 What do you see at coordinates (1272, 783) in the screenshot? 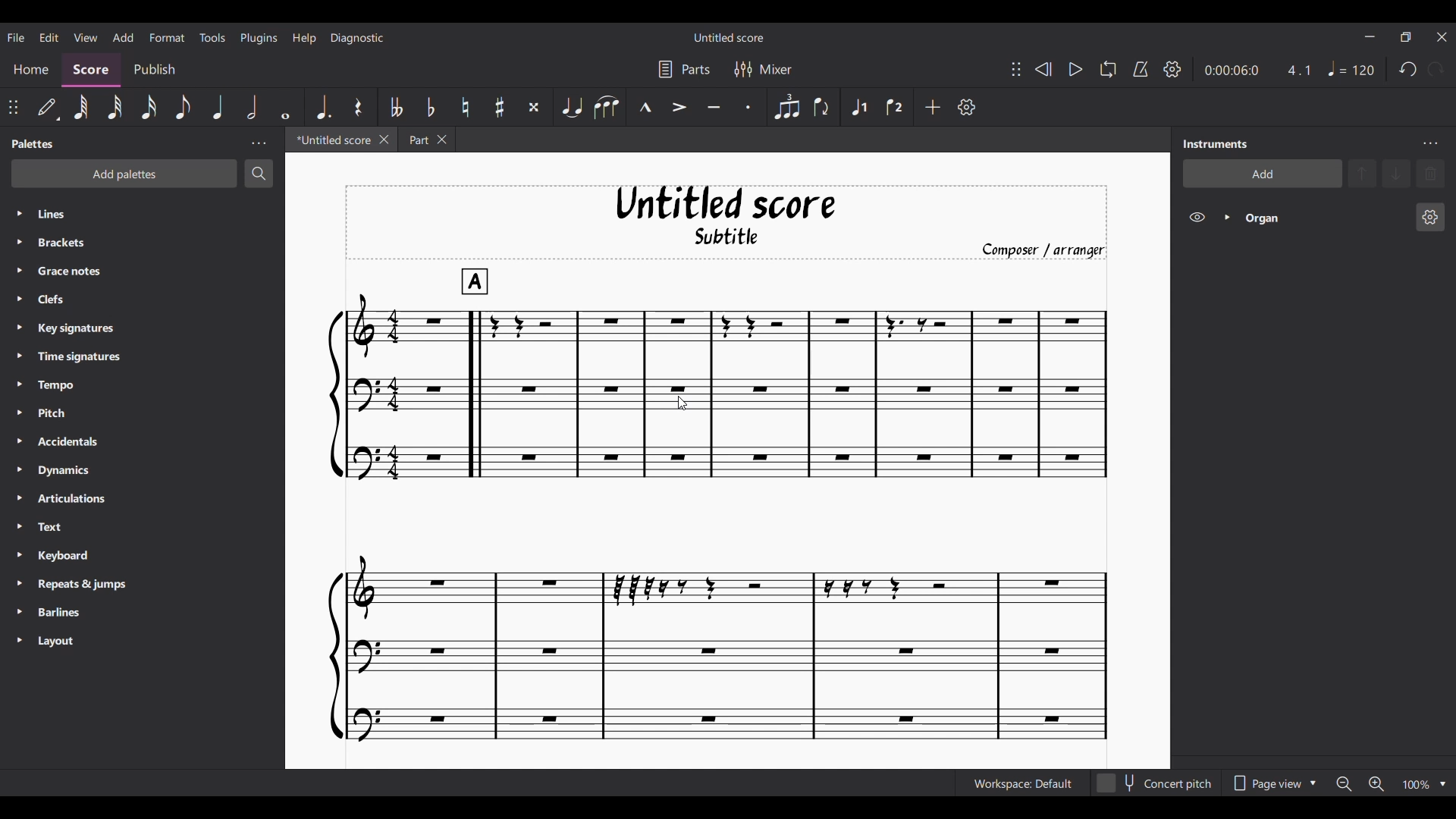
I see `Page view options` at bounding box center [1272, 783].